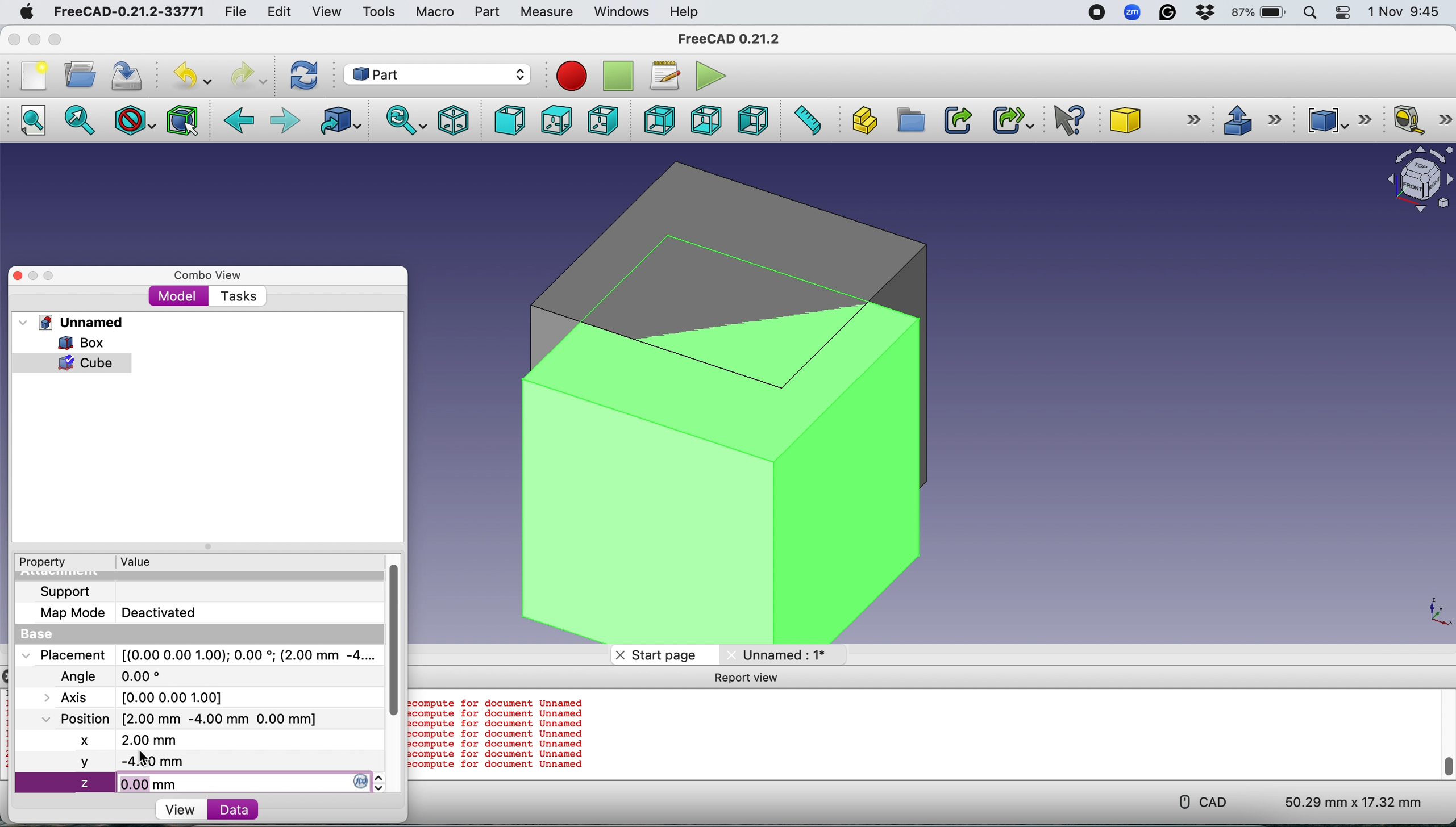 The width and height of the screenshot is (1456, 827). Describe the element at coordinates (70, 343) in the screenshot. I see `Box` at that location.